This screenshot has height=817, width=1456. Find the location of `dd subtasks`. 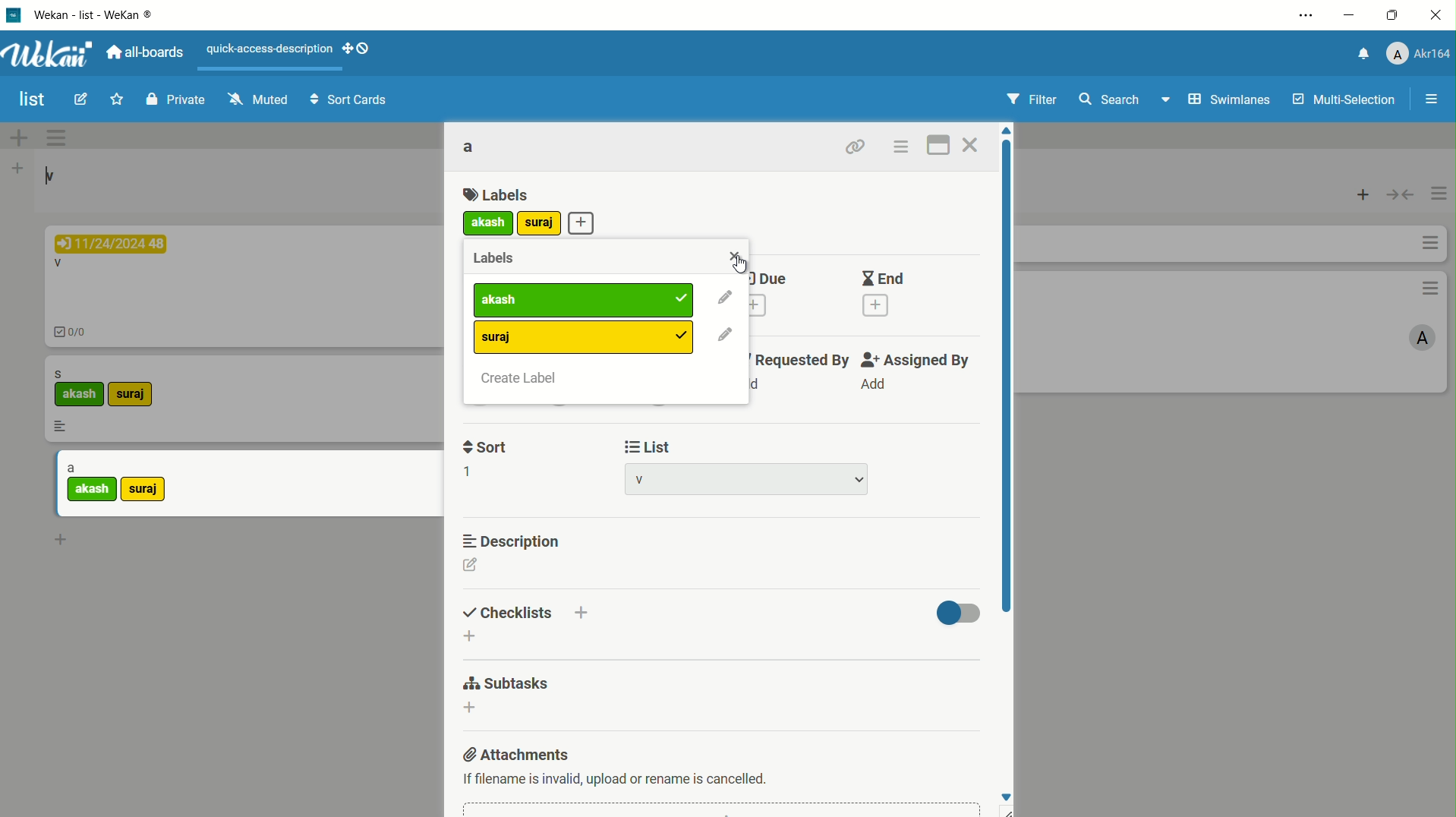

dd subtasks is located at coordinates (469, 708).